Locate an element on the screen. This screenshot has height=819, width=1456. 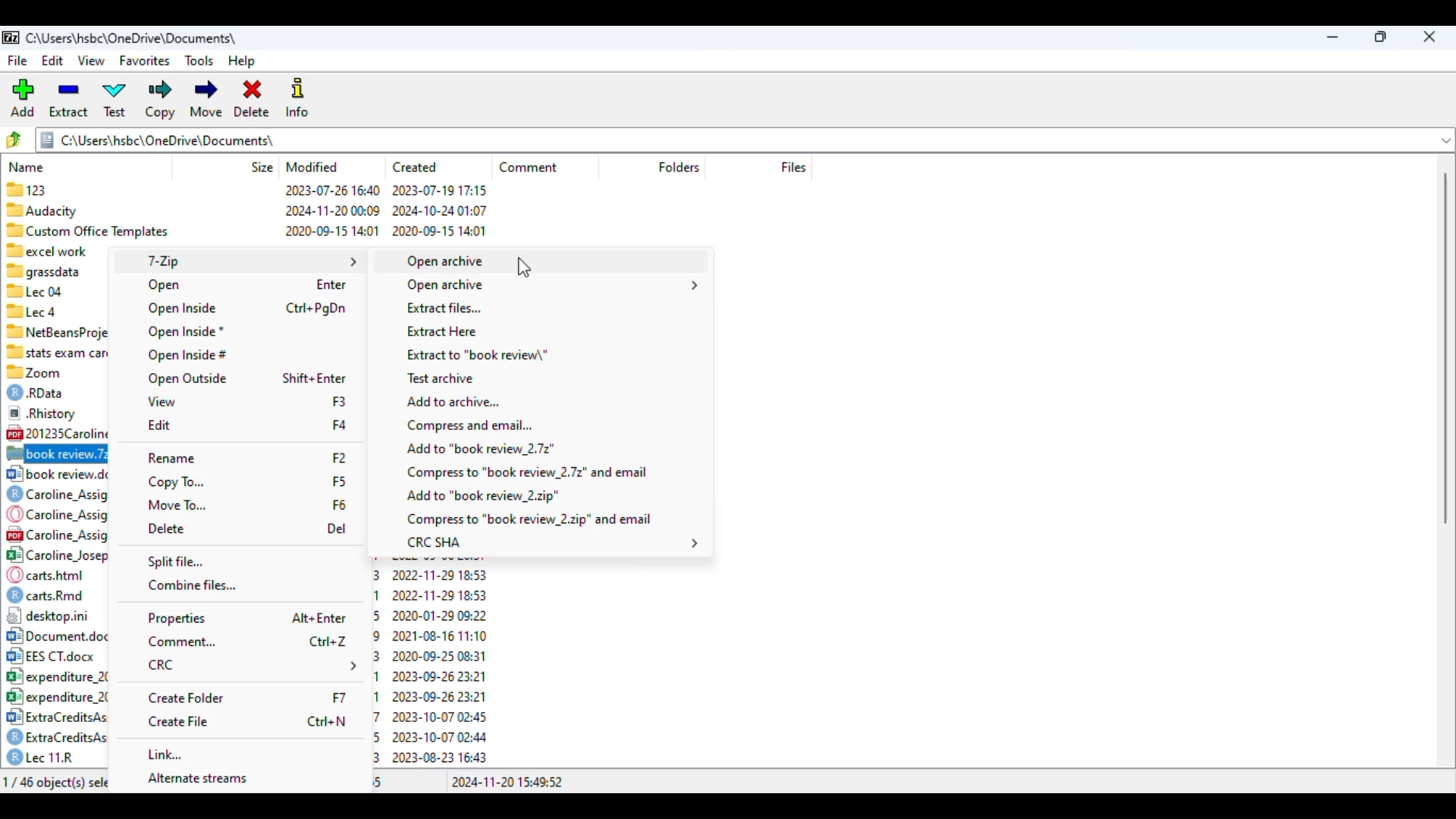
shortcut for comment is located at coordinates (328, 642).